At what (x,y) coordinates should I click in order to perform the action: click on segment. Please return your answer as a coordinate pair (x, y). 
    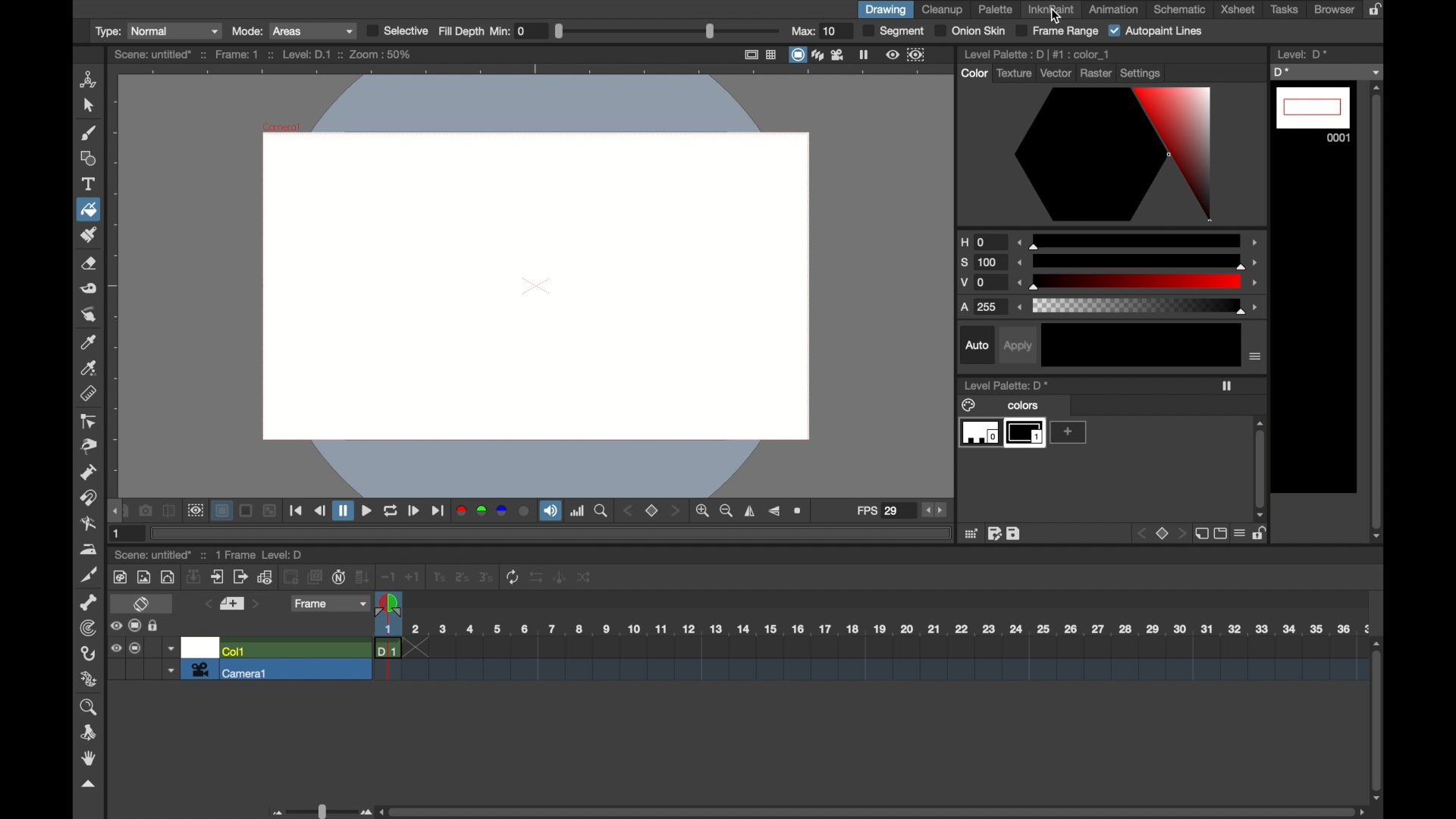
    Looking at the image, I should click on (893, 31).